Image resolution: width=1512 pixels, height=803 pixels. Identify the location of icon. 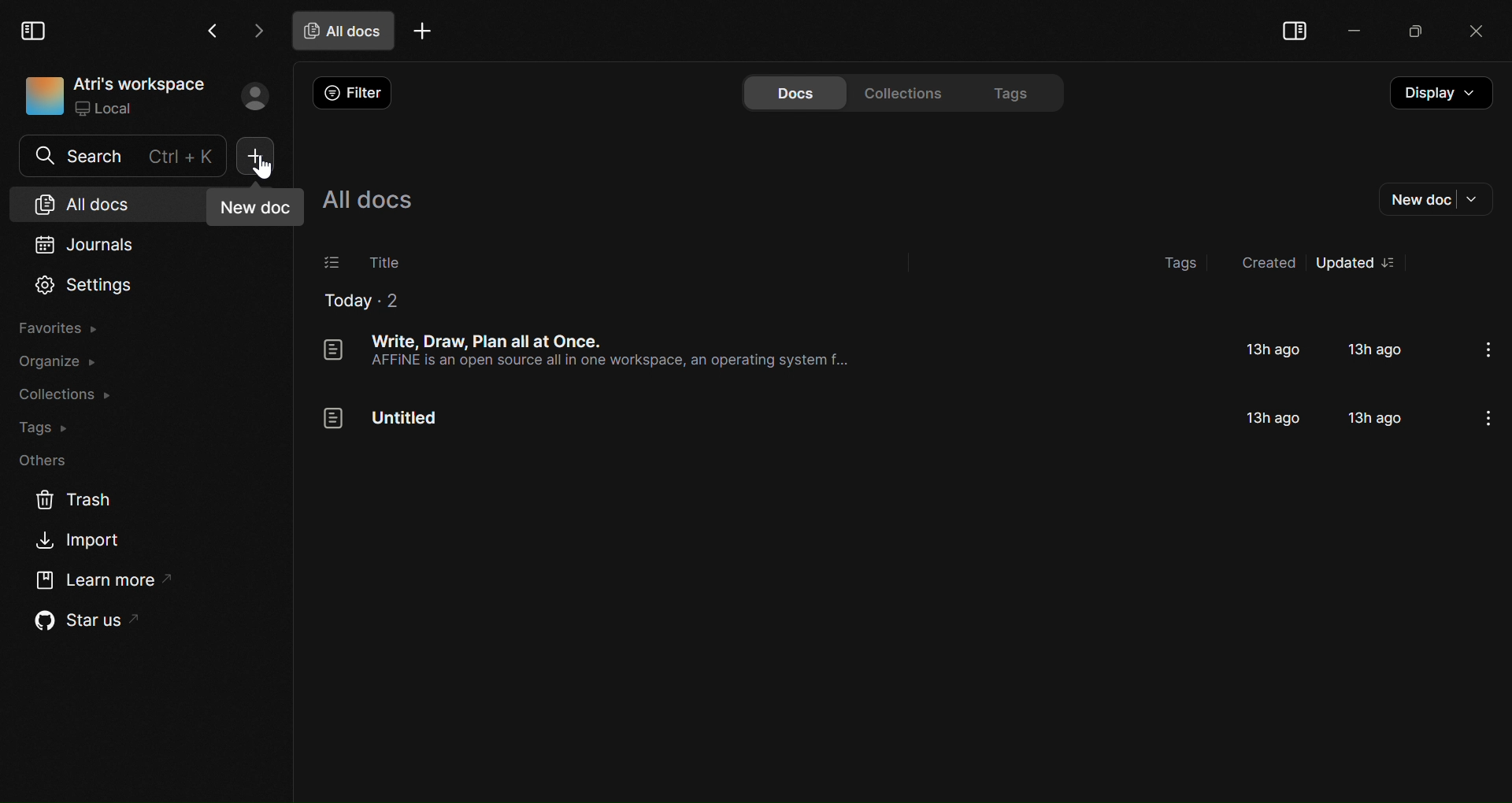
(334, 420).